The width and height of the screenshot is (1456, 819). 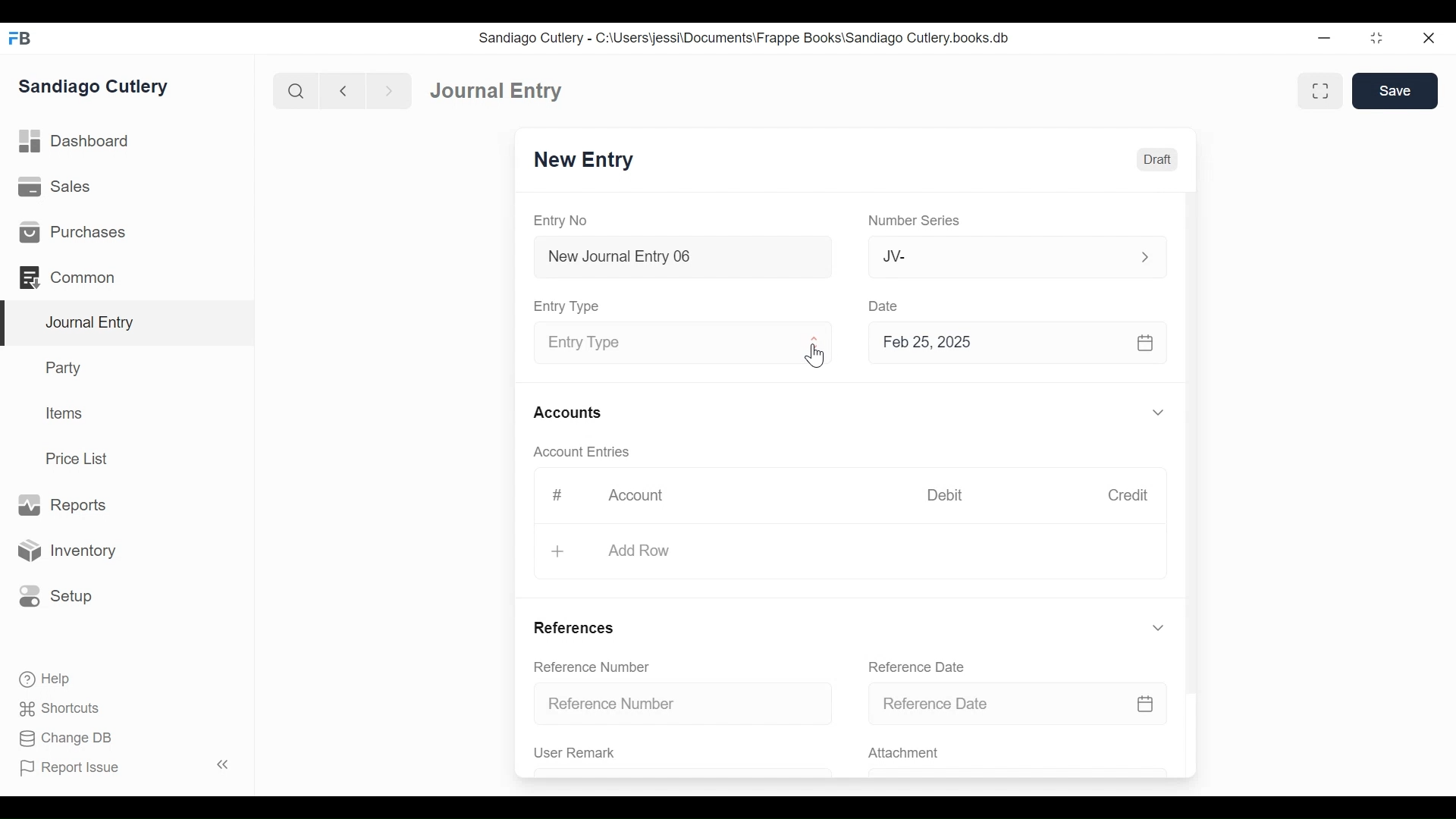 What do you see at coordinates (1158, 628) in the screenshot?
I see `Expand` at bounding box center [1158, 628].